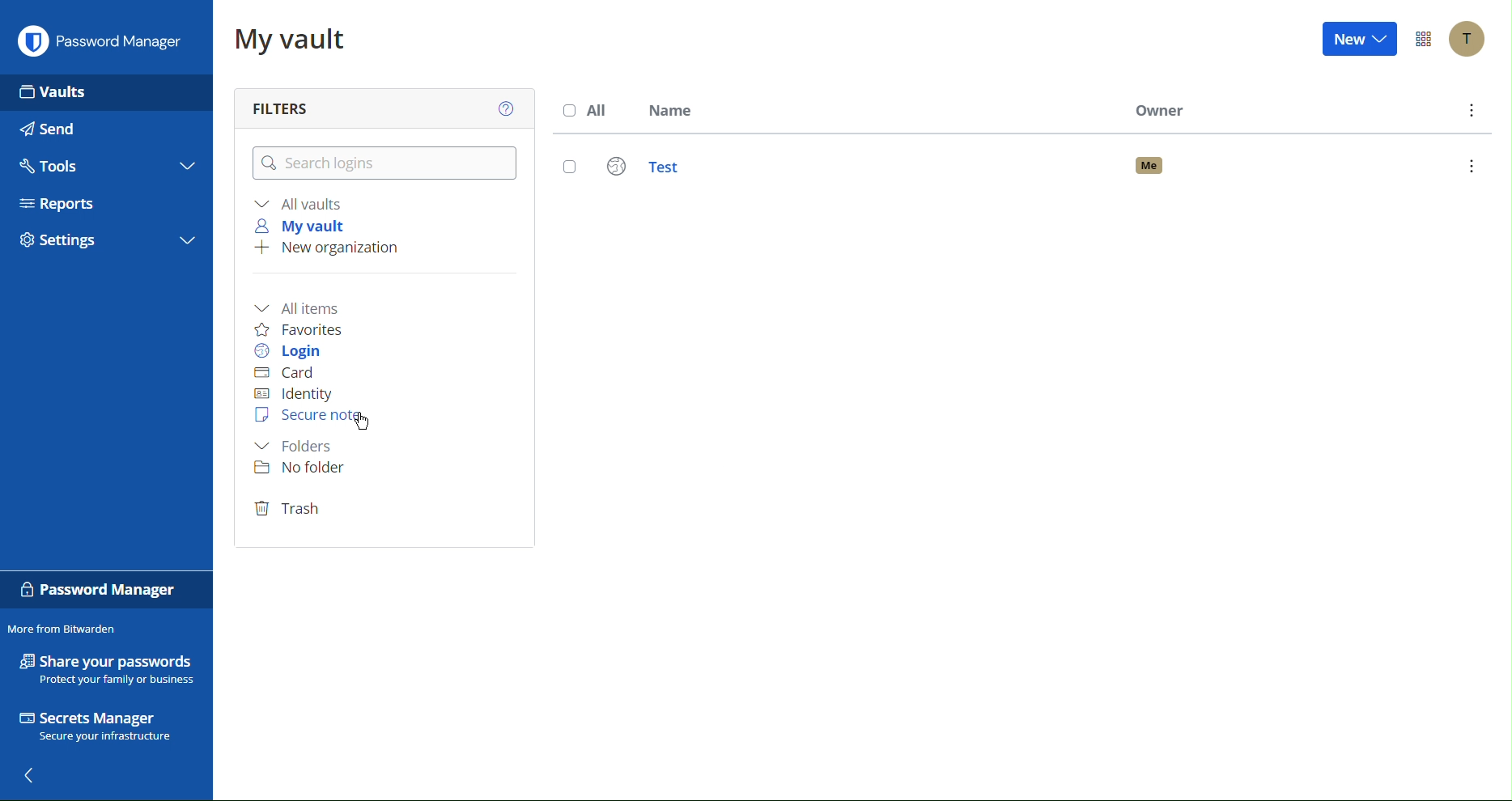 This screenshot has height=801, width=1512. Describe the element at coordinates (55, 91) in the screenshot. I see `Vaults` at that location.